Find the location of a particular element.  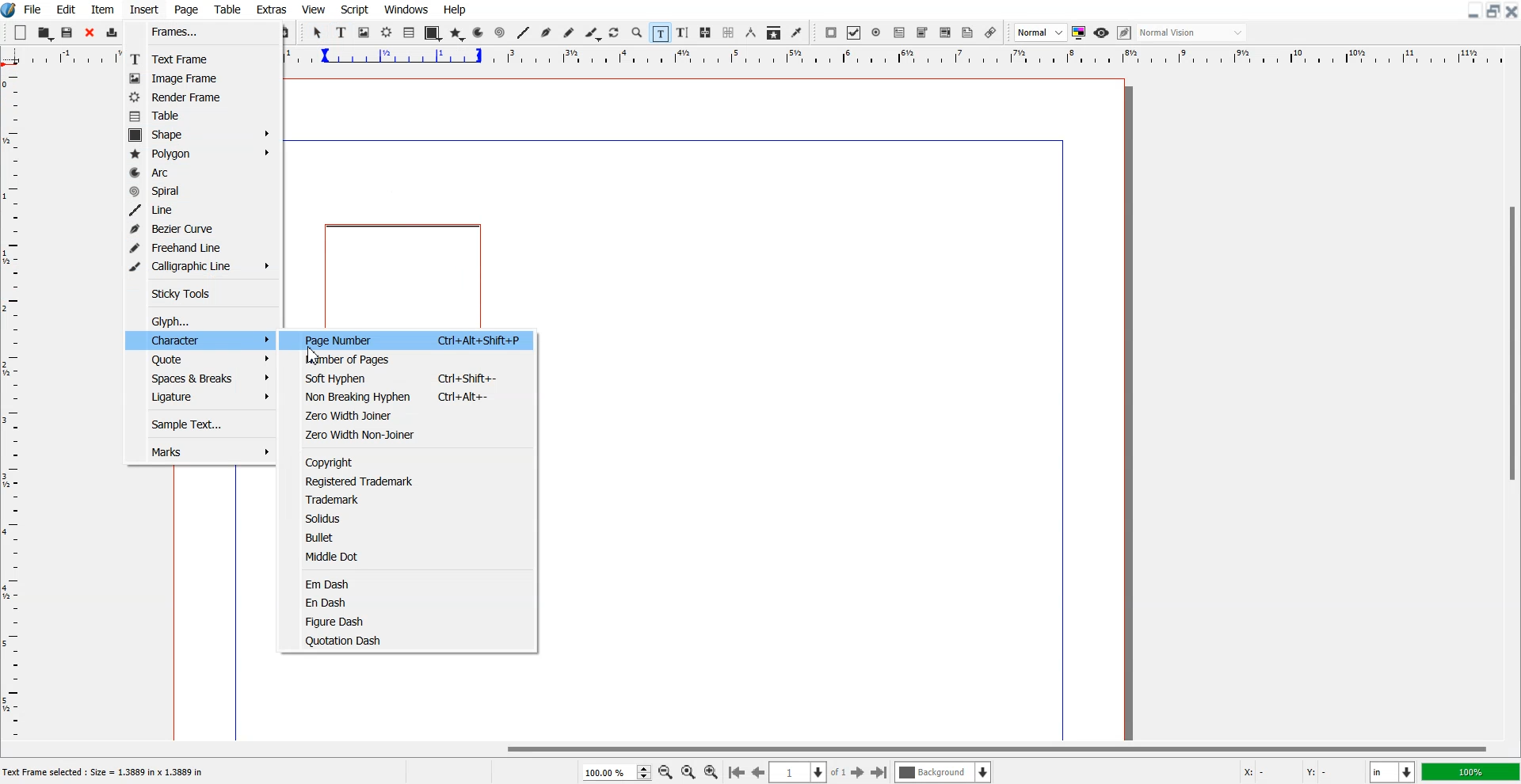

New is located at coordinates (21, 32).